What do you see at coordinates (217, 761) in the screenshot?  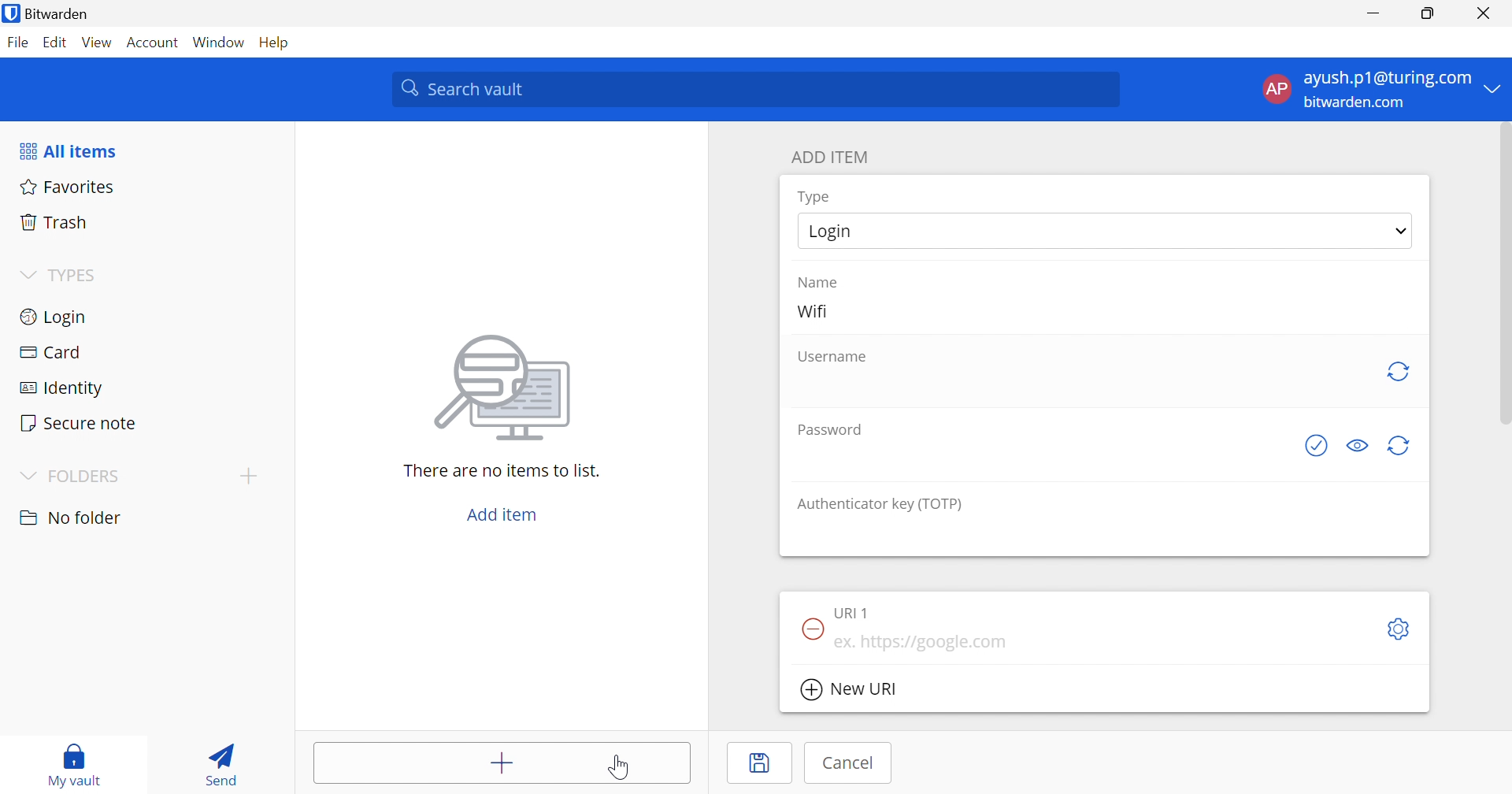 I see `Send` at bounding box center [217, 761].